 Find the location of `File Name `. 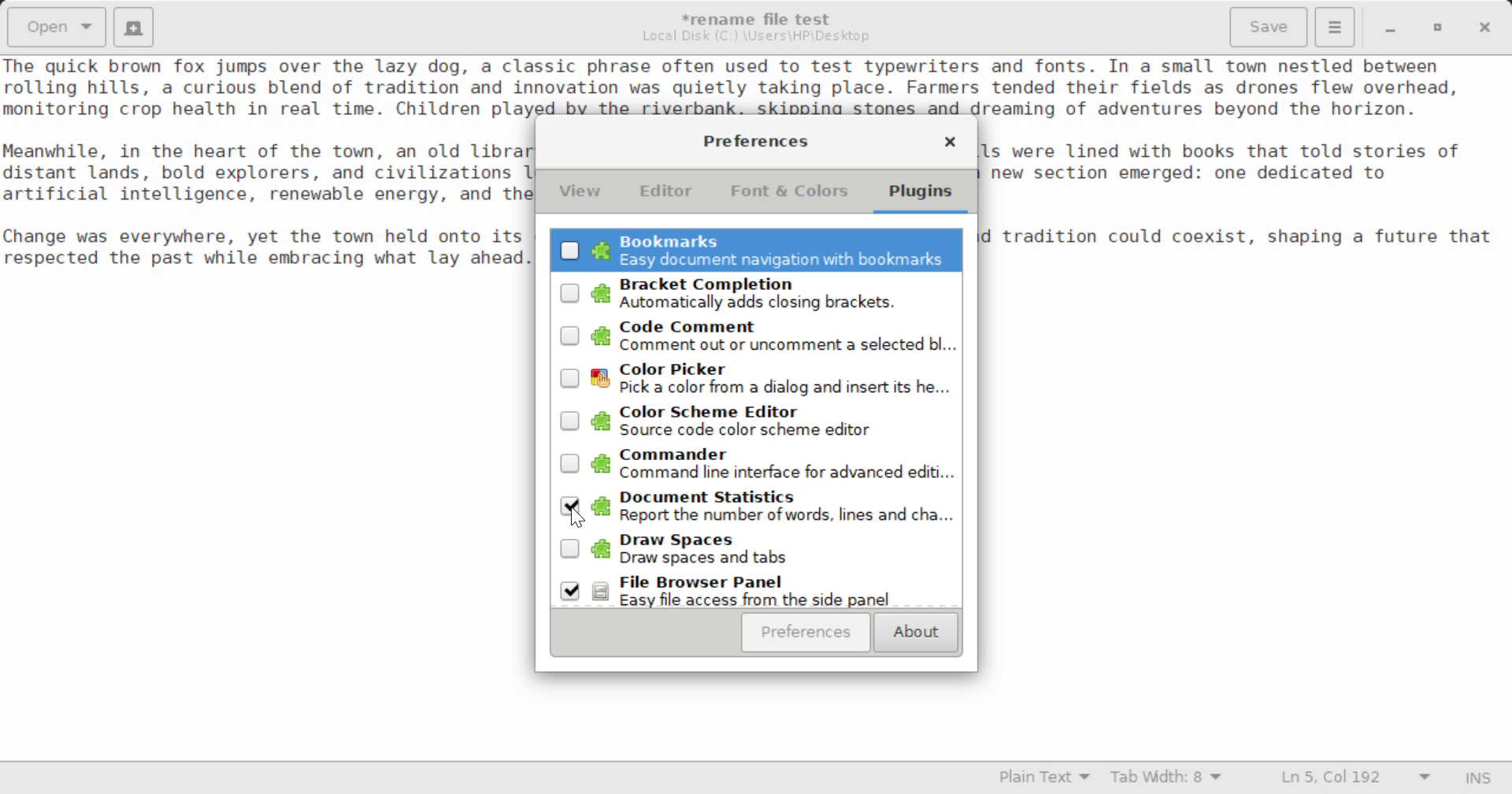

File Name  is located at coordinates (761, 17).